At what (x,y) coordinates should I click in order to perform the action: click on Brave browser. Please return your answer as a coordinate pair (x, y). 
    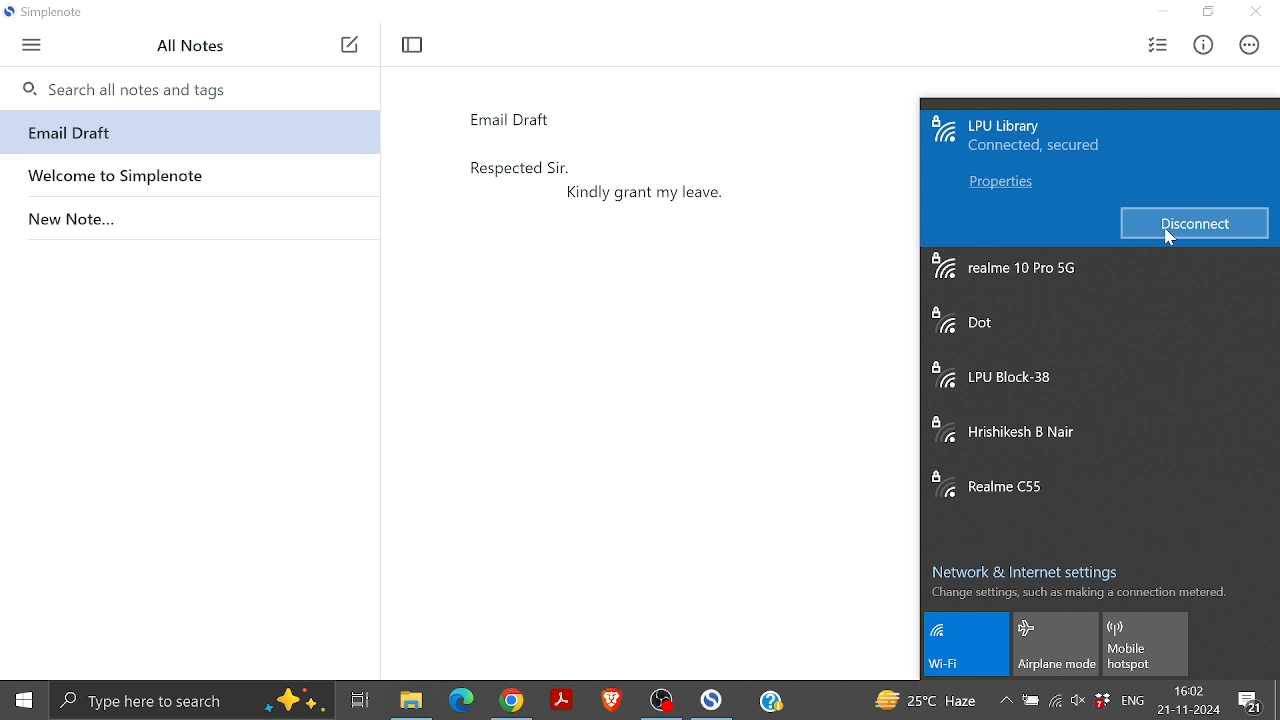
    Looking at the image, I should click on (613, 699).